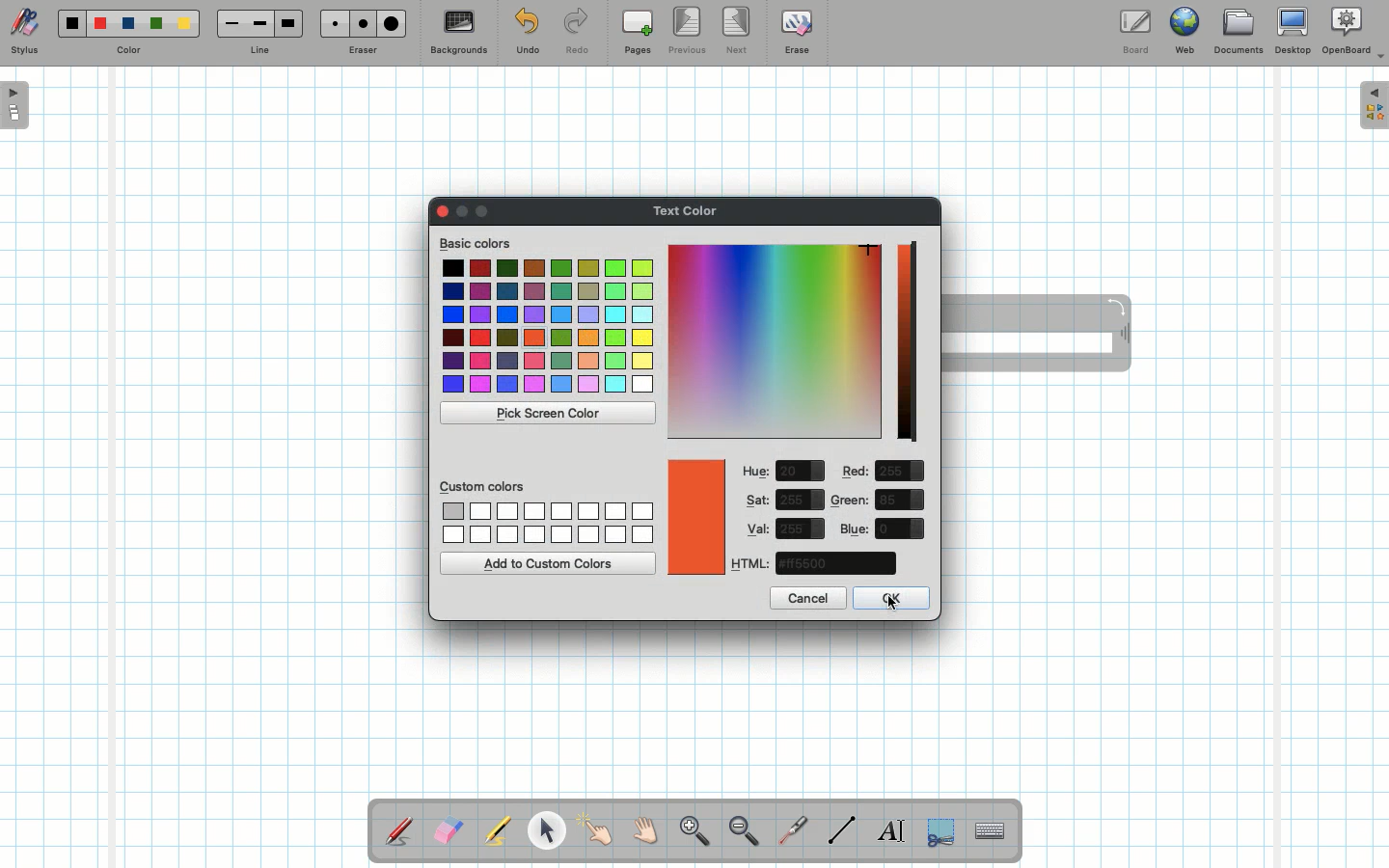  Describe the element at coordinates (1184, 35) in the screenshot. I see `Web` at that location.